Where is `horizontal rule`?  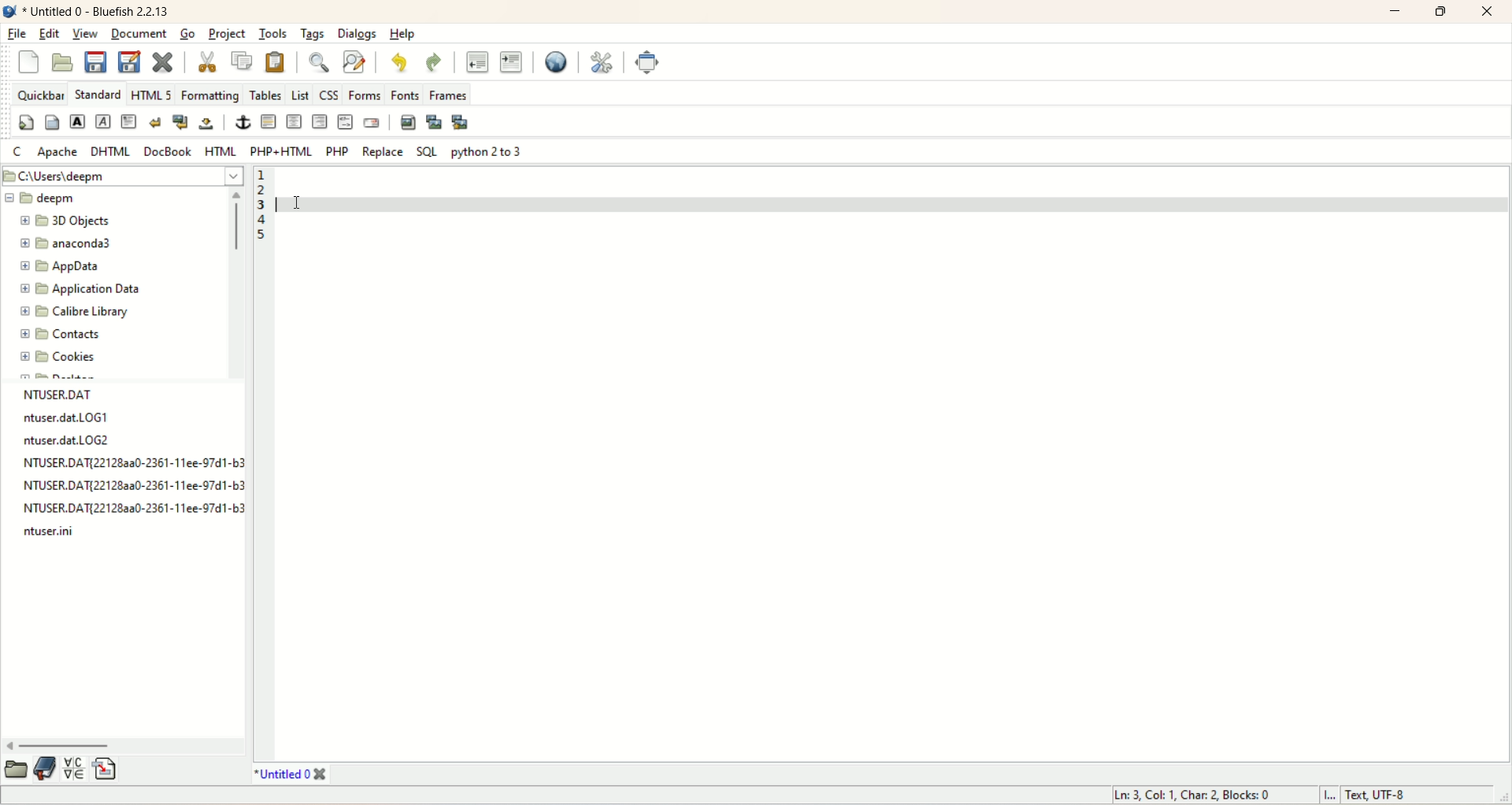 horizontal rule is located at coordinates (269, 124).